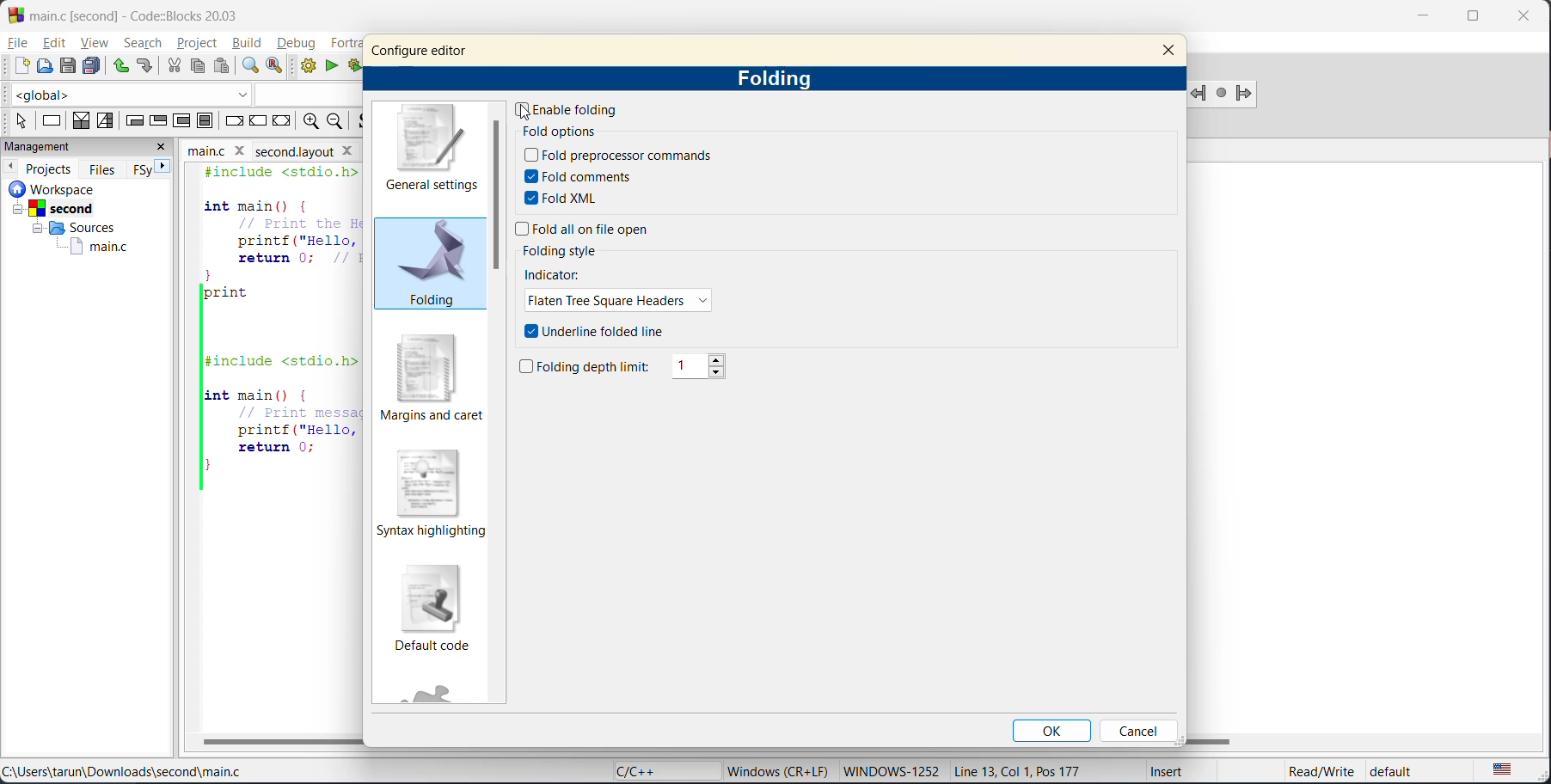 Image resolution: width=1551 pixels, height=784 pixels. I want to click on file name, so click(218, 149).